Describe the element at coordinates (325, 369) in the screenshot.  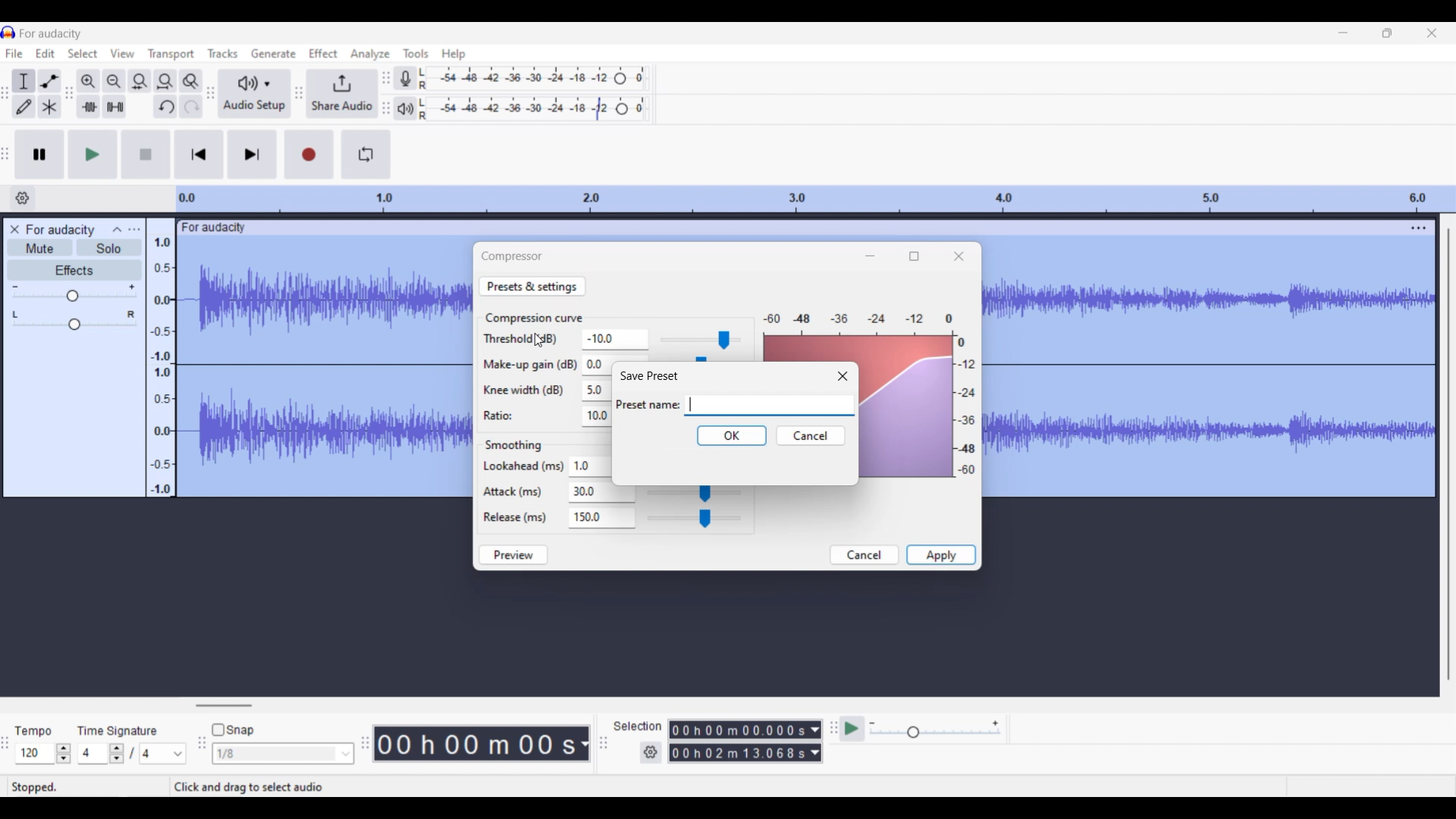
I see `Current track` at that location.